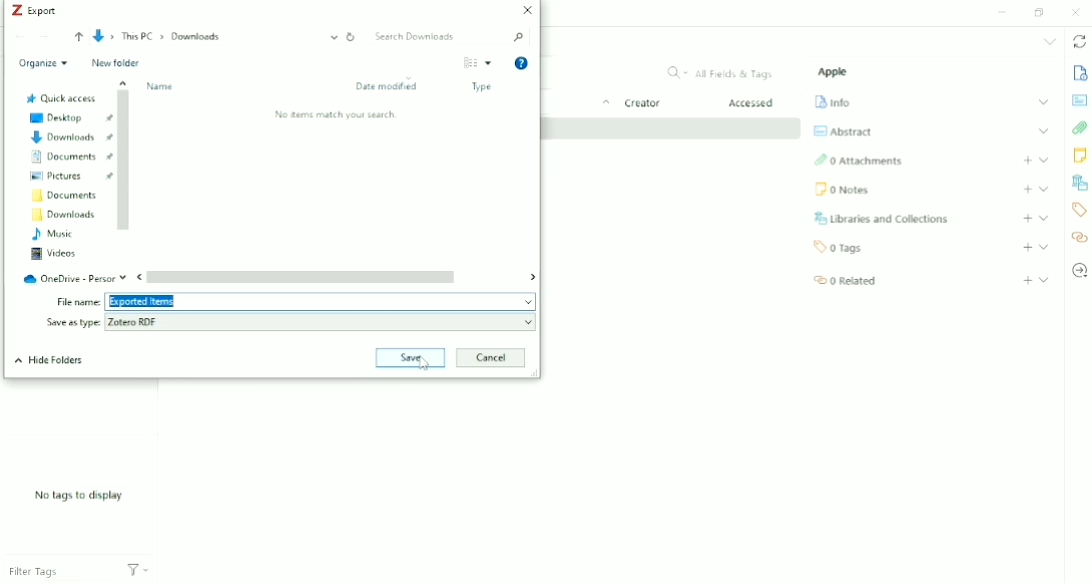 The height and width of the screenshot is (584, 1092). Describe the element at coordinates (78, 303) in the screenshot. I see `File name` at that location.